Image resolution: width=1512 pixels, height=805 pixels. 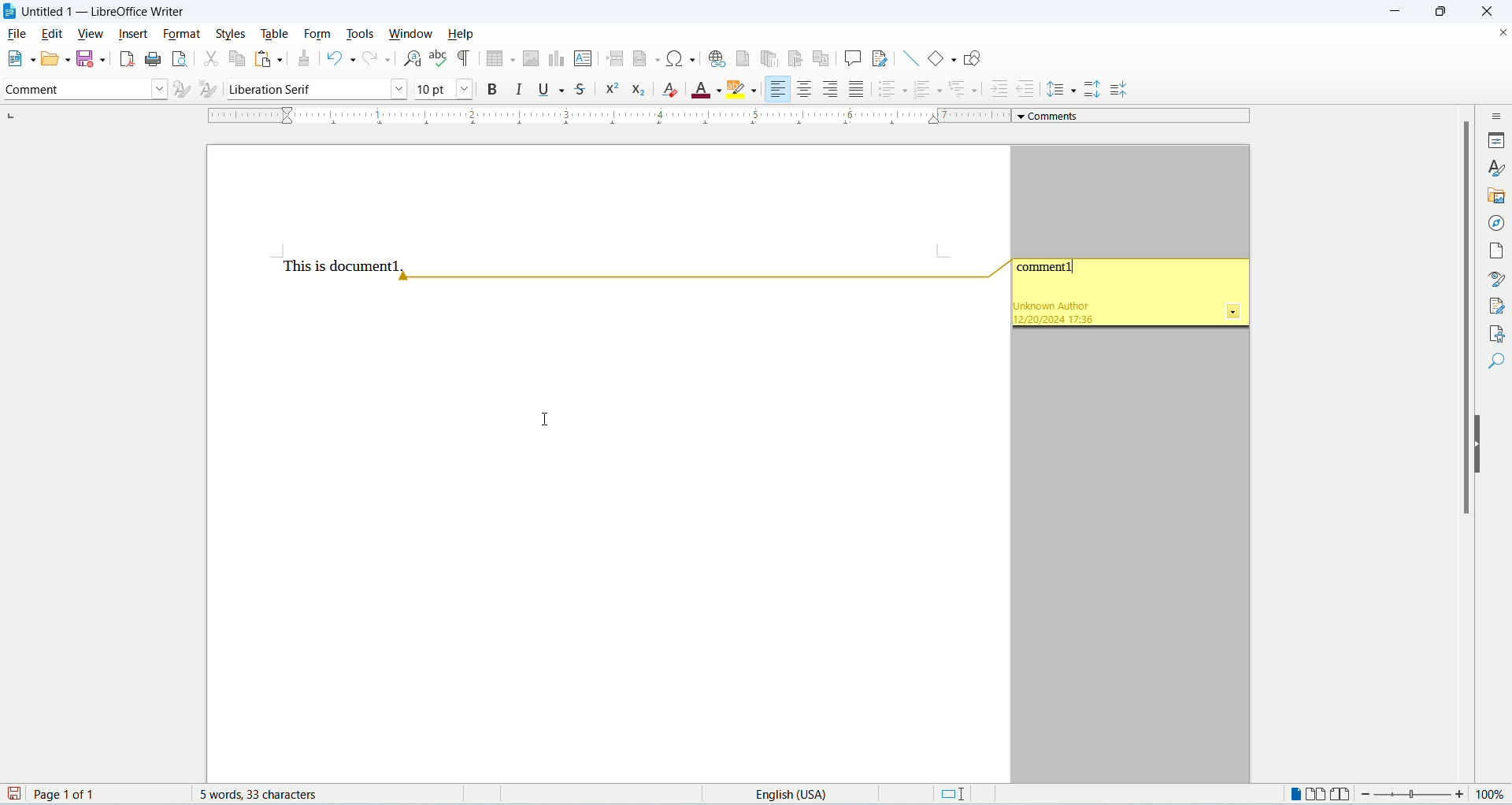 I want to click on font color, so click(x=706, y=91).